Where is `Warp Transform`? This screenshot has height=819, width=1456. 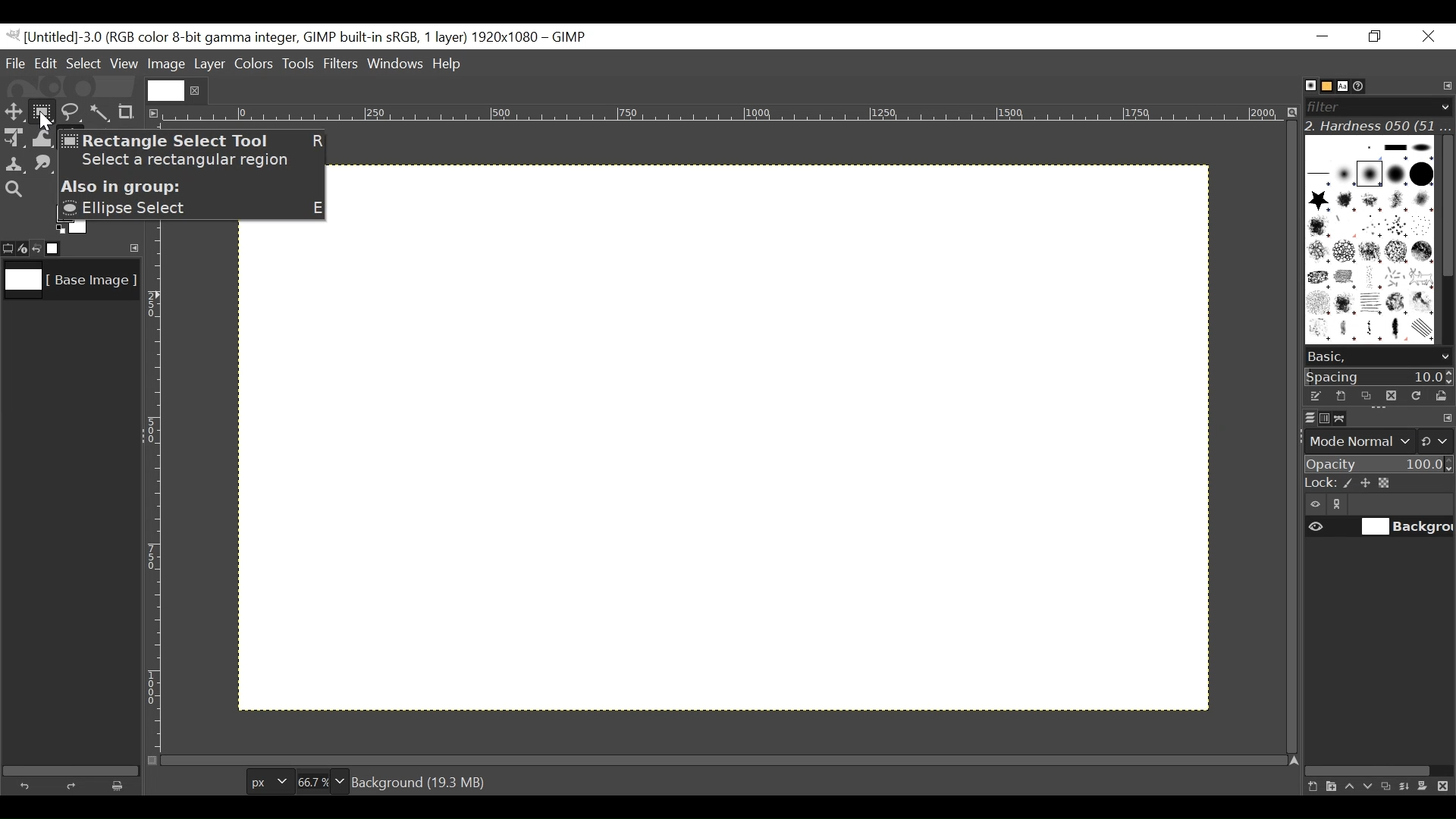 Warp Transform is located at coordinates (42, 140).